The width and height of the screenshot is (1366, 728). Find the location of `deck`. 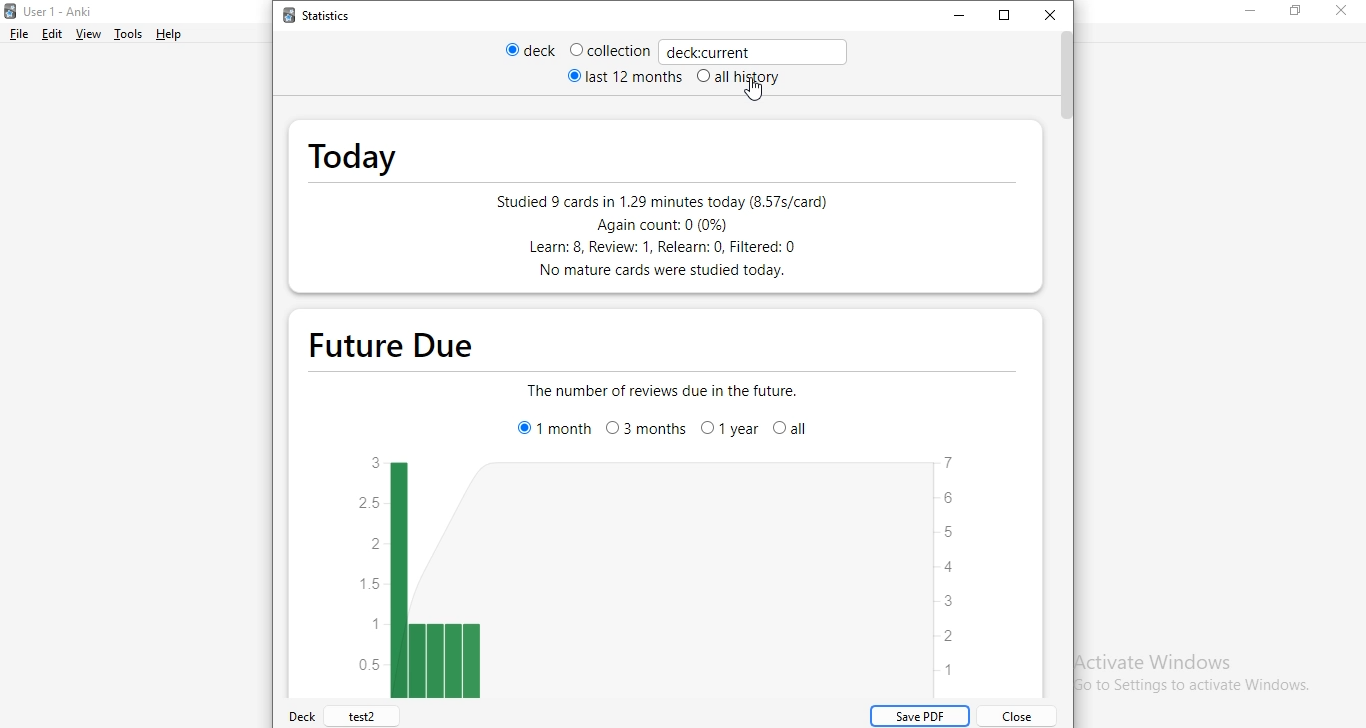

deck is located at coordinates (519, 51).